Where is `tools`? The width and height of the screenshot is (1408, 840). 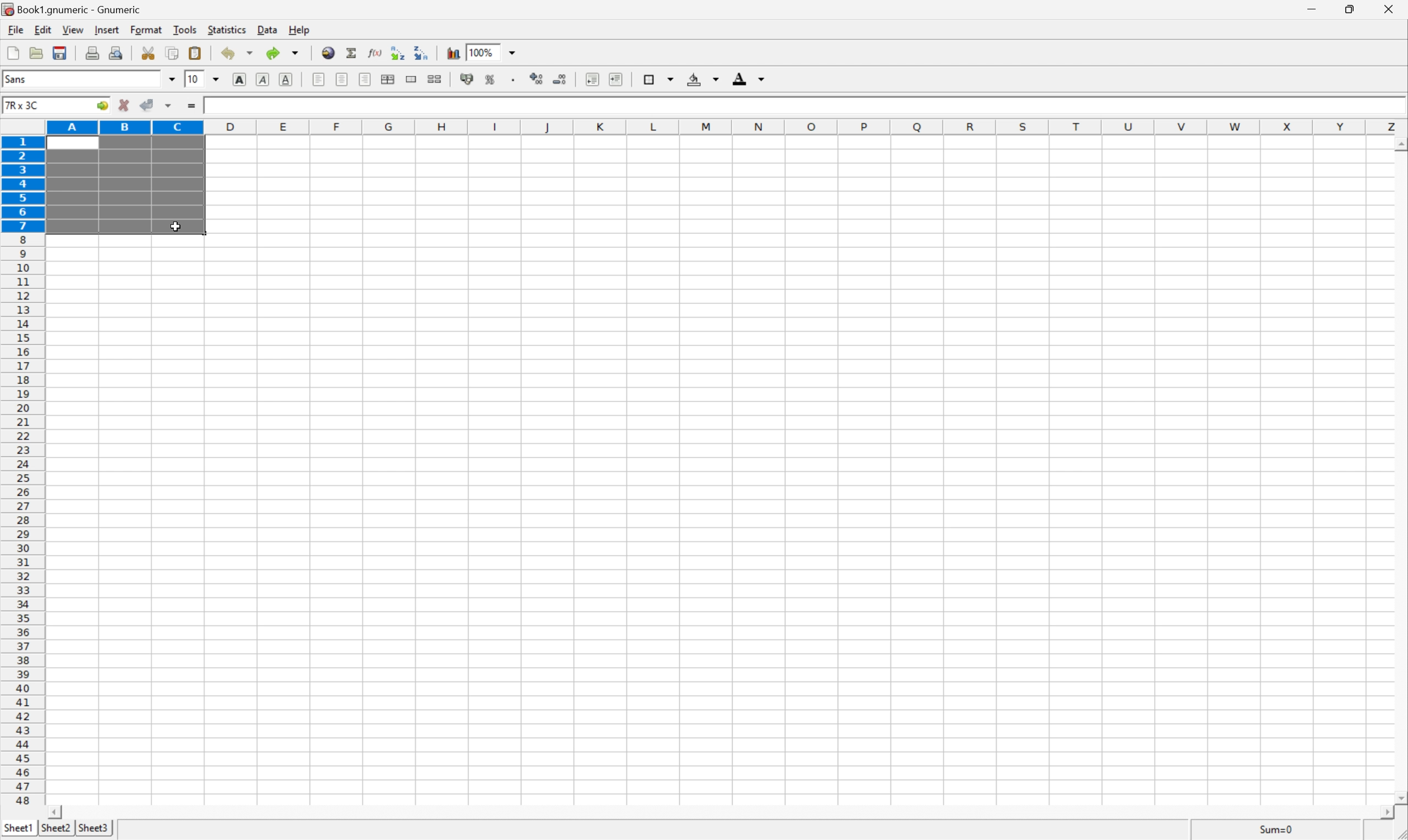
tools is located at coordinates (184, 31).